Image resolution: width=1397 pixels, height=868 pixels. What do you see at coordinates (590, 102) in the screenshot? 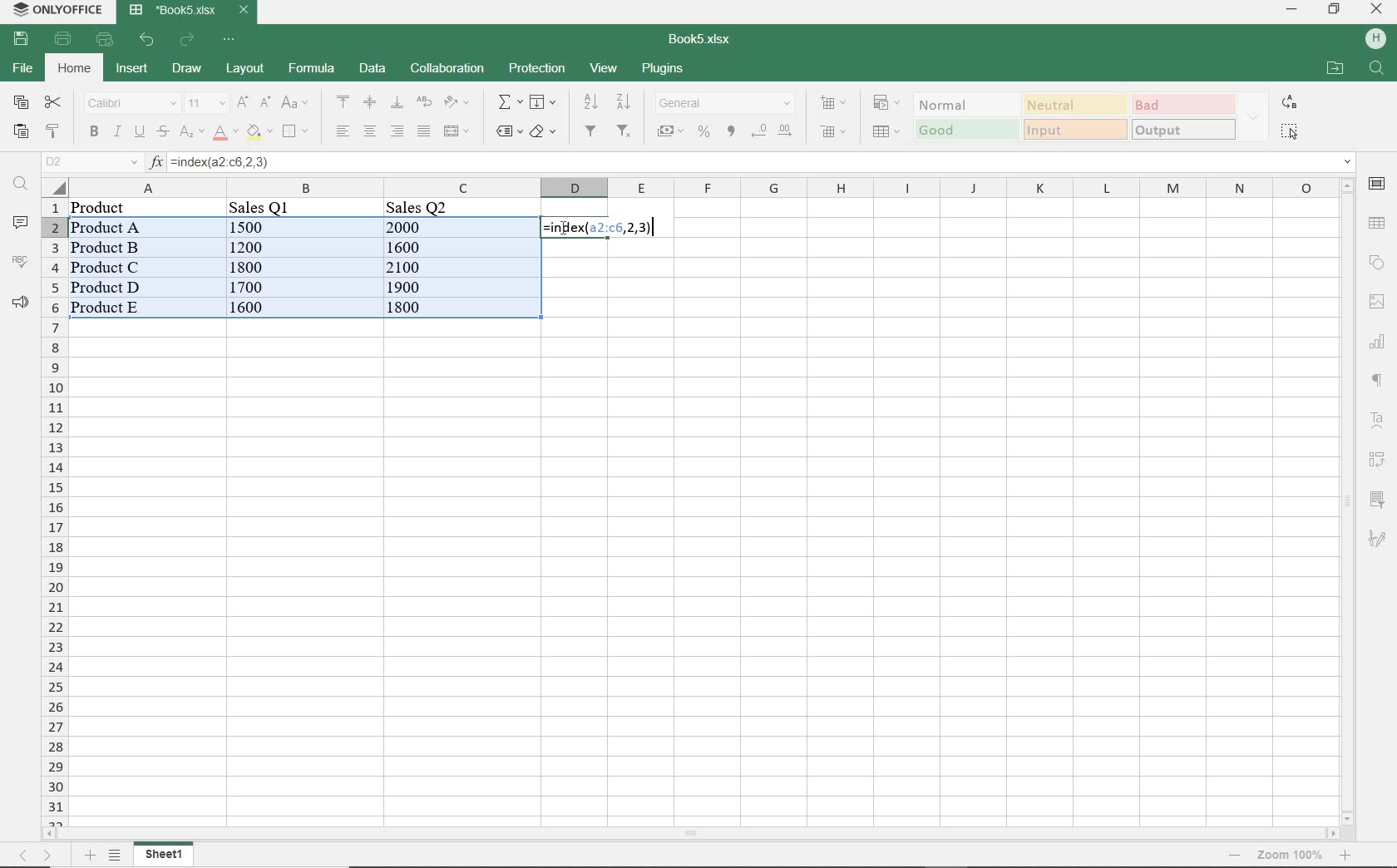
I see `sort ascending` at bounding box center [590, 102].